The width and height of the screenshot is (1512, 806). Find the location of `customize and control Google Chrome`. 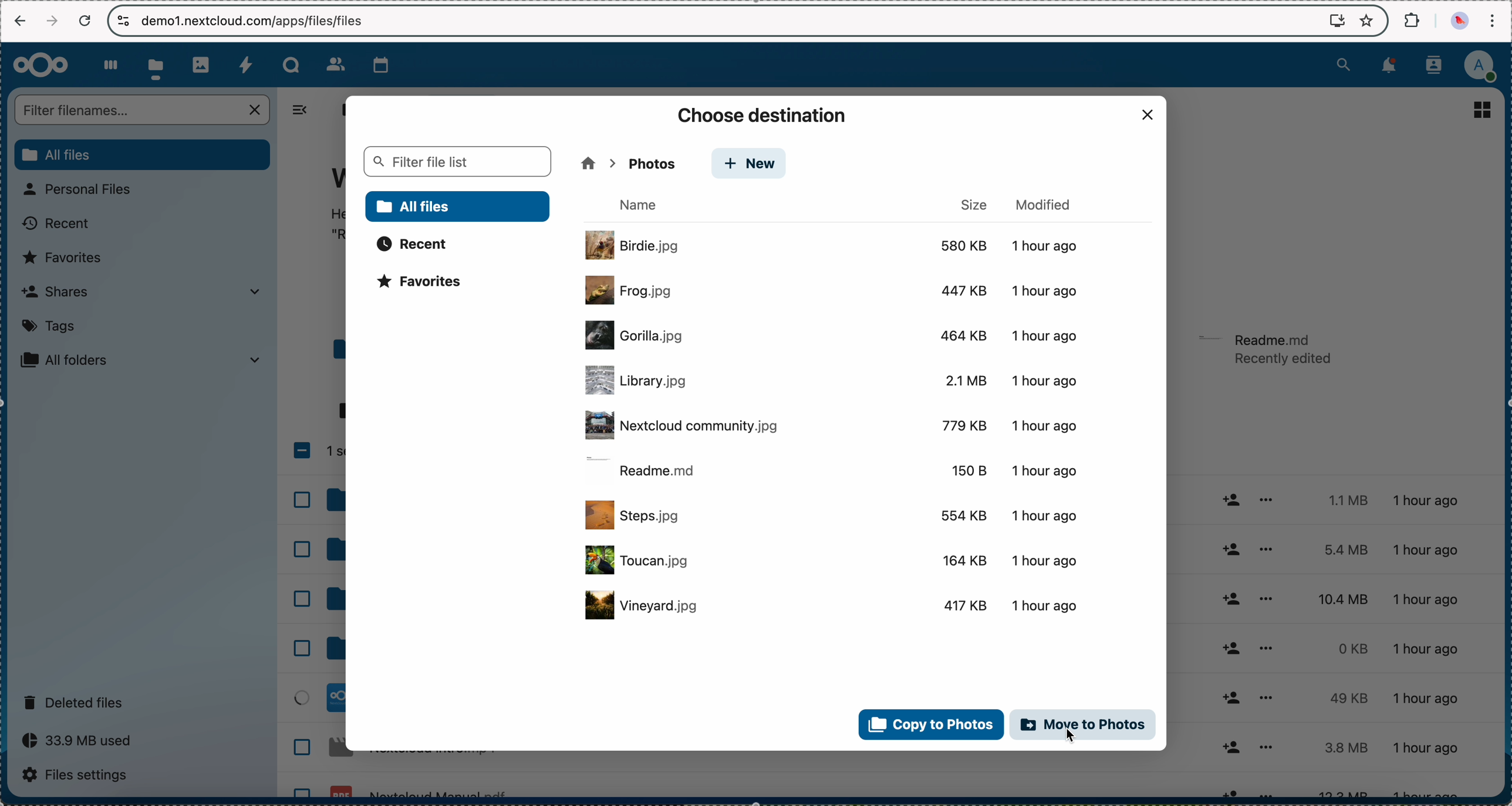

customize and control Google Chrome is located at coordinates (1493, 21).